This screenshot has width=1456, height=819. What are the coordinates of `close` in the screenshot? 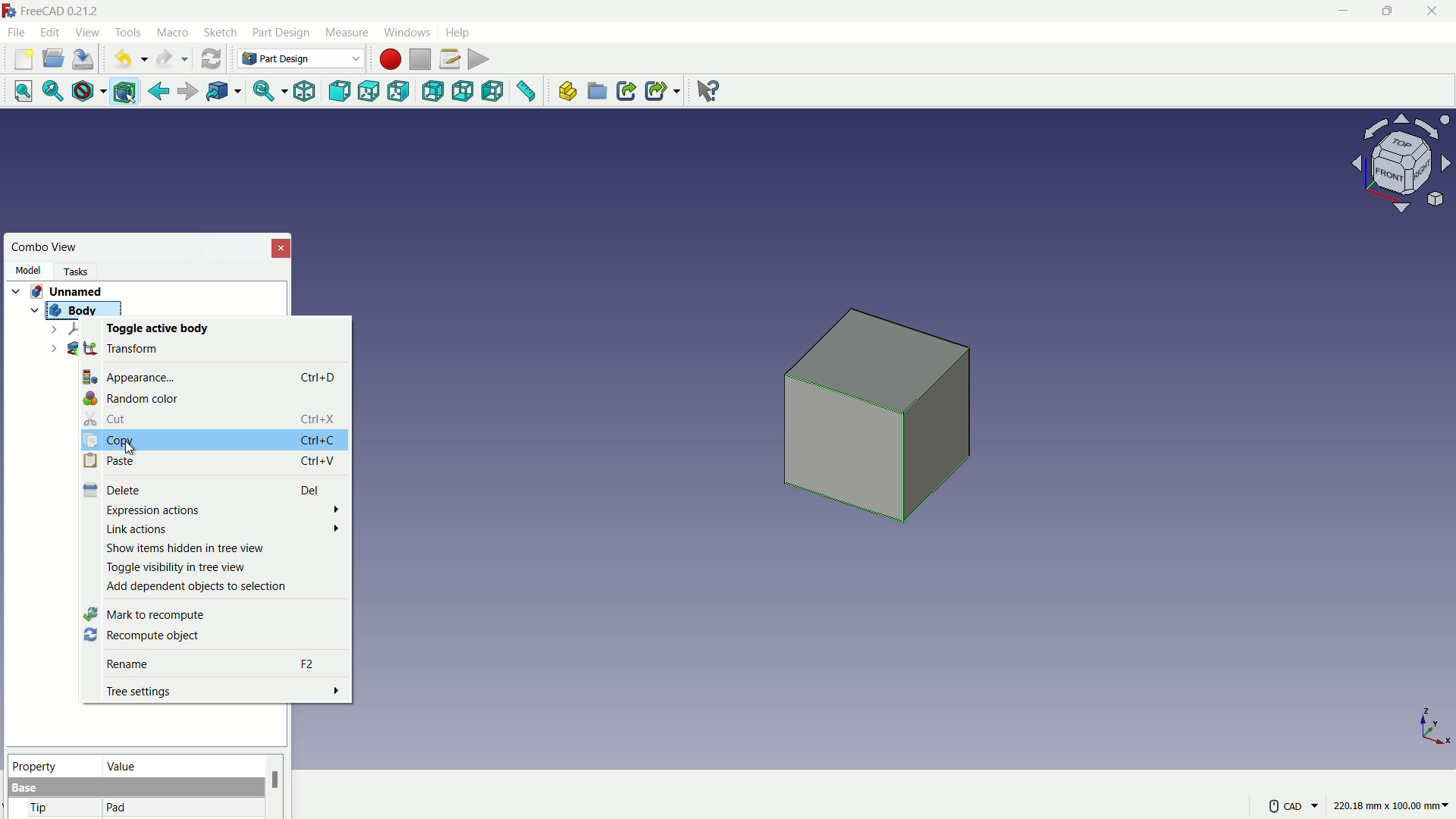 It's located at (282, 247).